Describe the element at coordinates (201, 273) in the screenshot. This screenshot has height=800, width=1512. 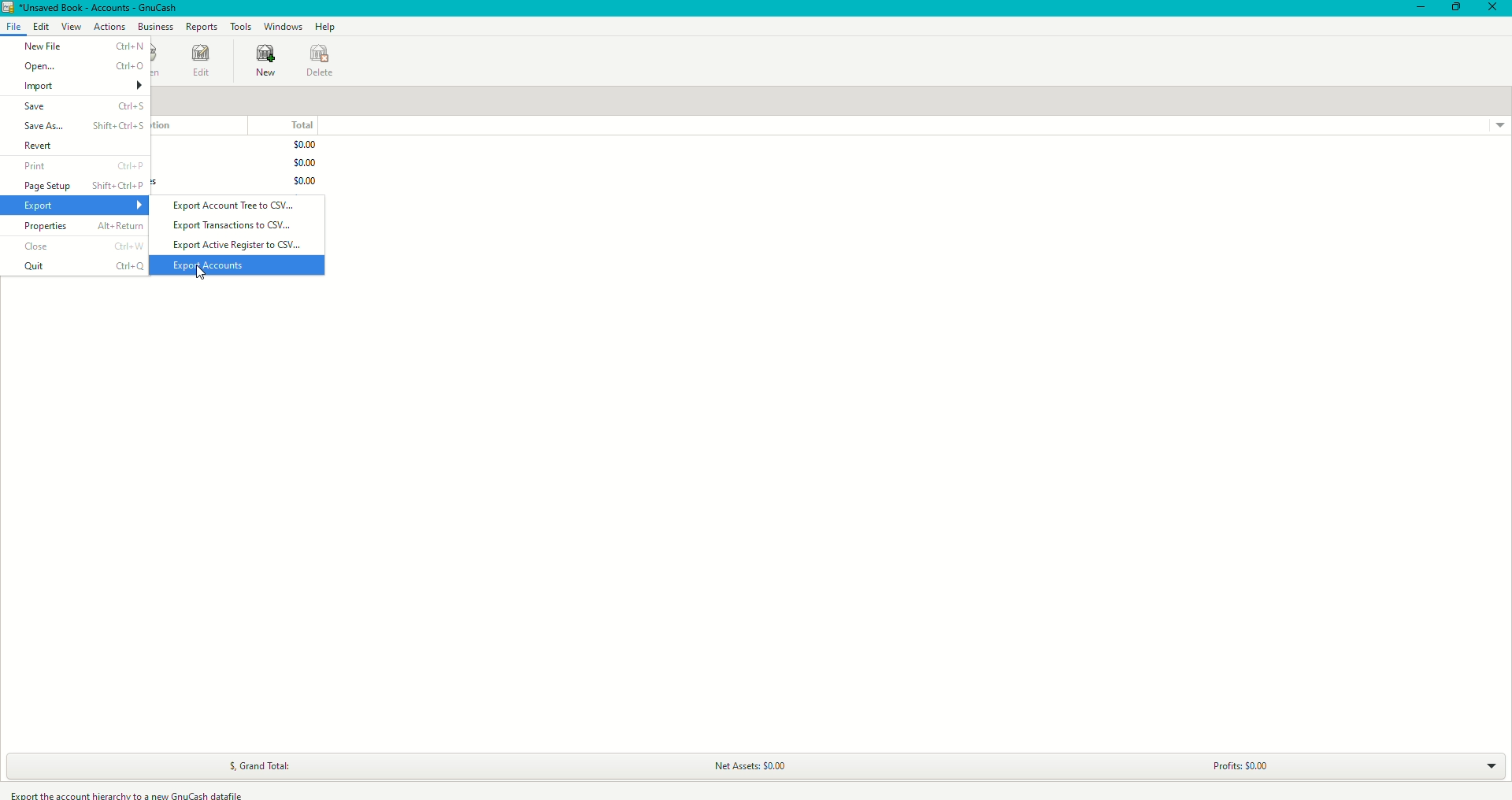
I see `Cursor` at that location.